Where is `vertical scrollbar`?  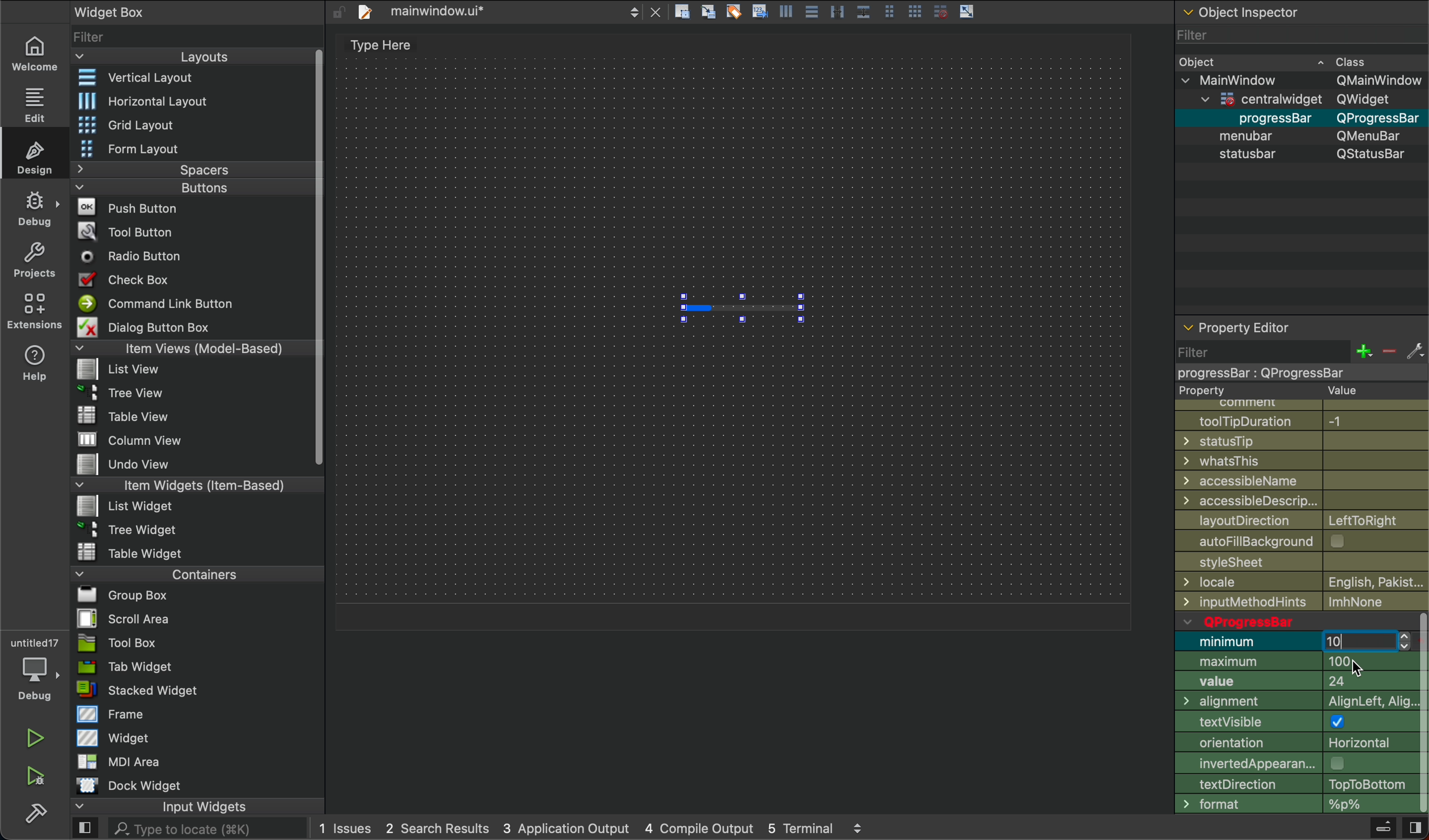
vertical scrollbar is located at coordinates (1420, 714).